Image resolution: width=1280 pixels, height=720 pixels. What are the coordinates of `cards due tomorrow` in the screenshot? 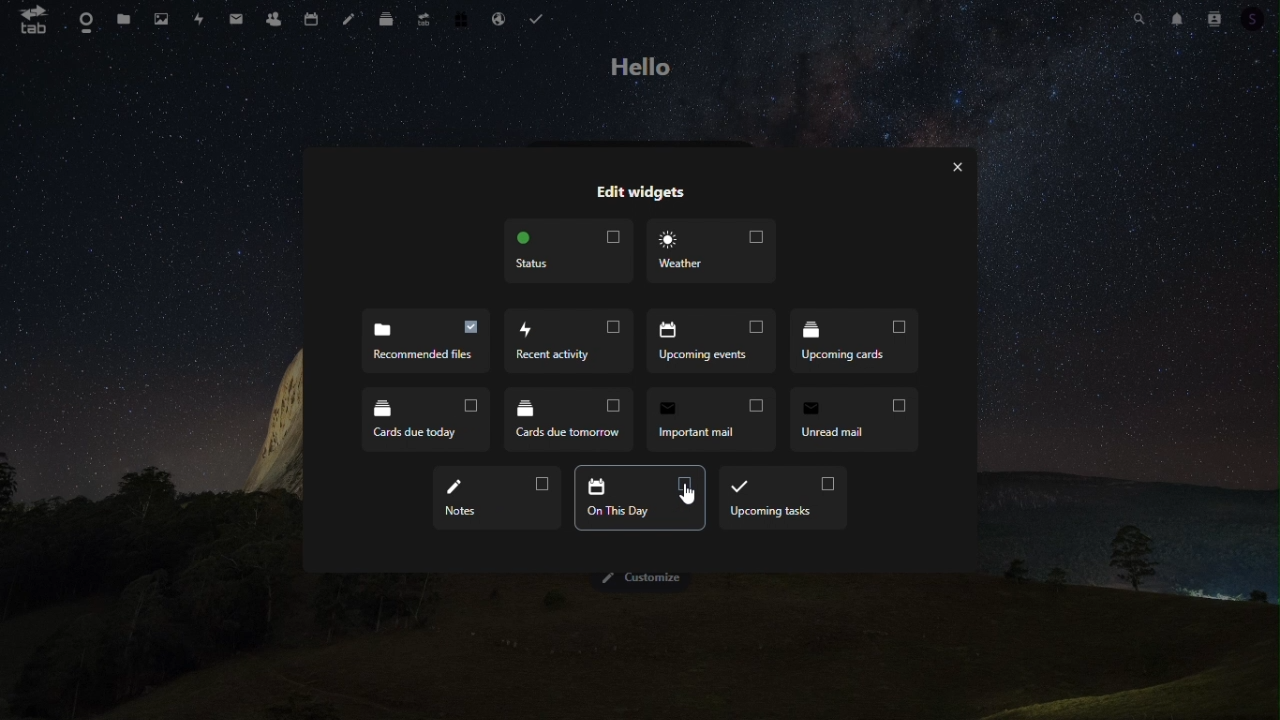 It's located at (426, 422).